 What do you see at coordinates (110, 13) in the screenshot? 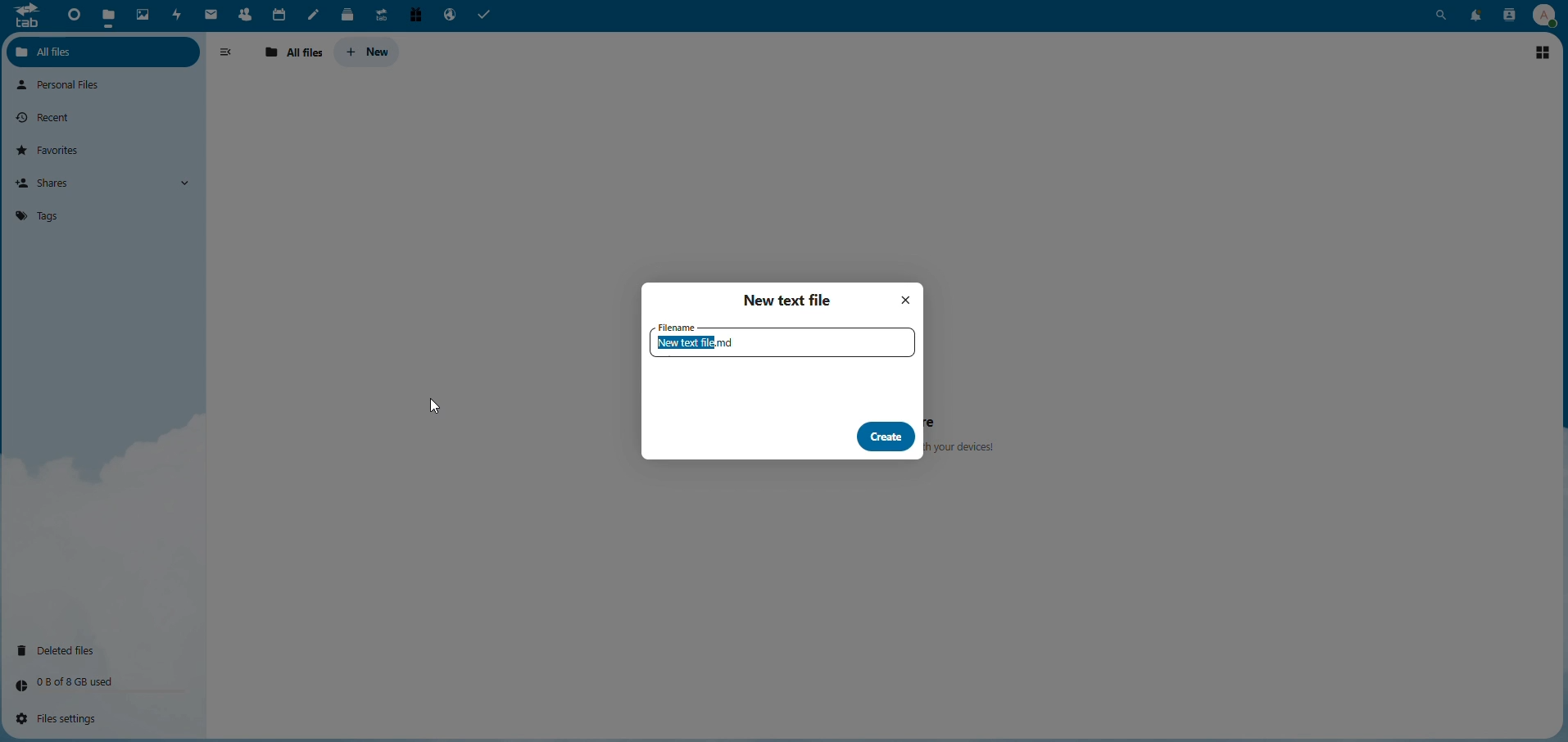
I see `file` at bounding box center [110, 13].